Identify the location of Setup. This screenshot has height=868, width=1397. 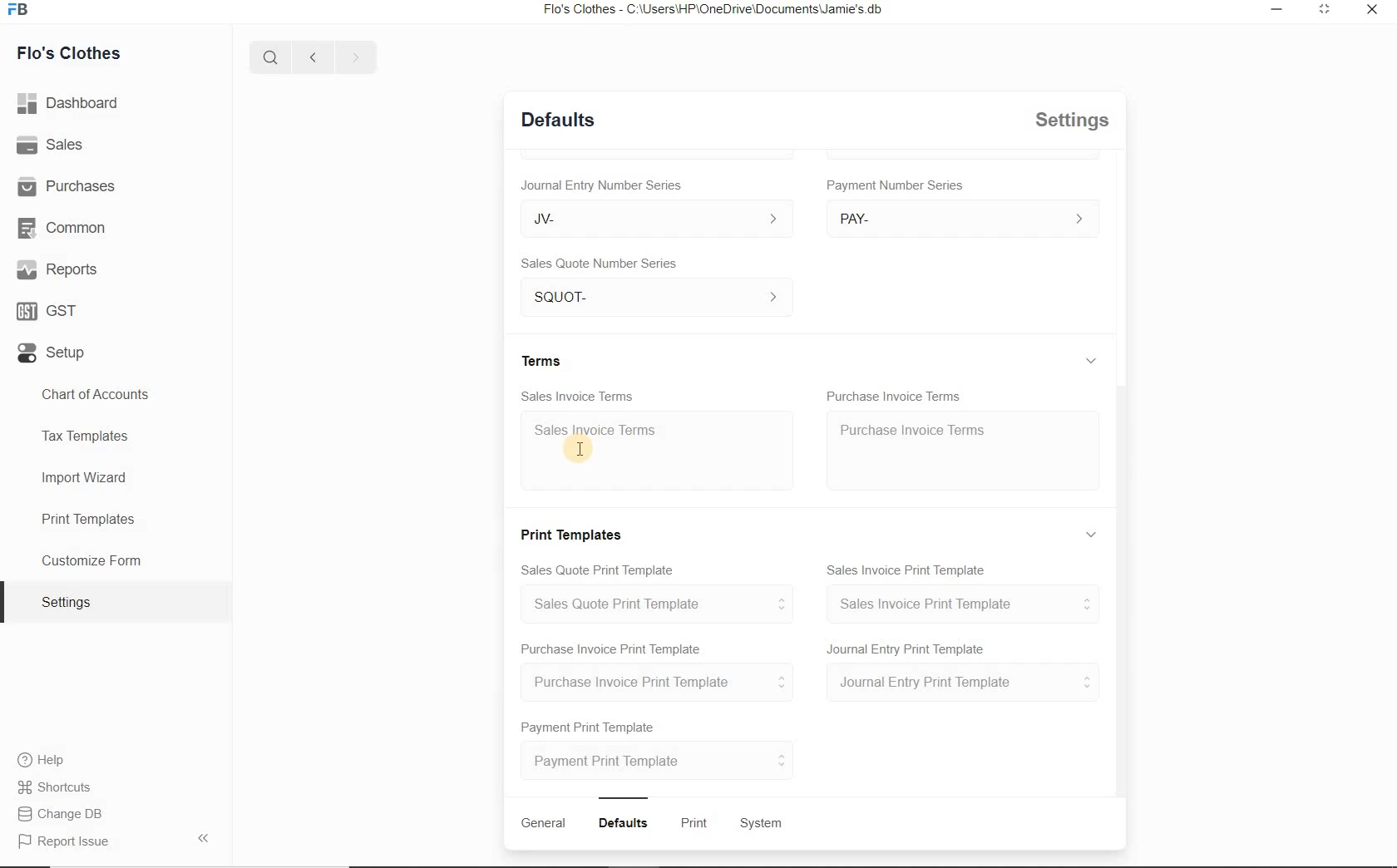
(50, 357).